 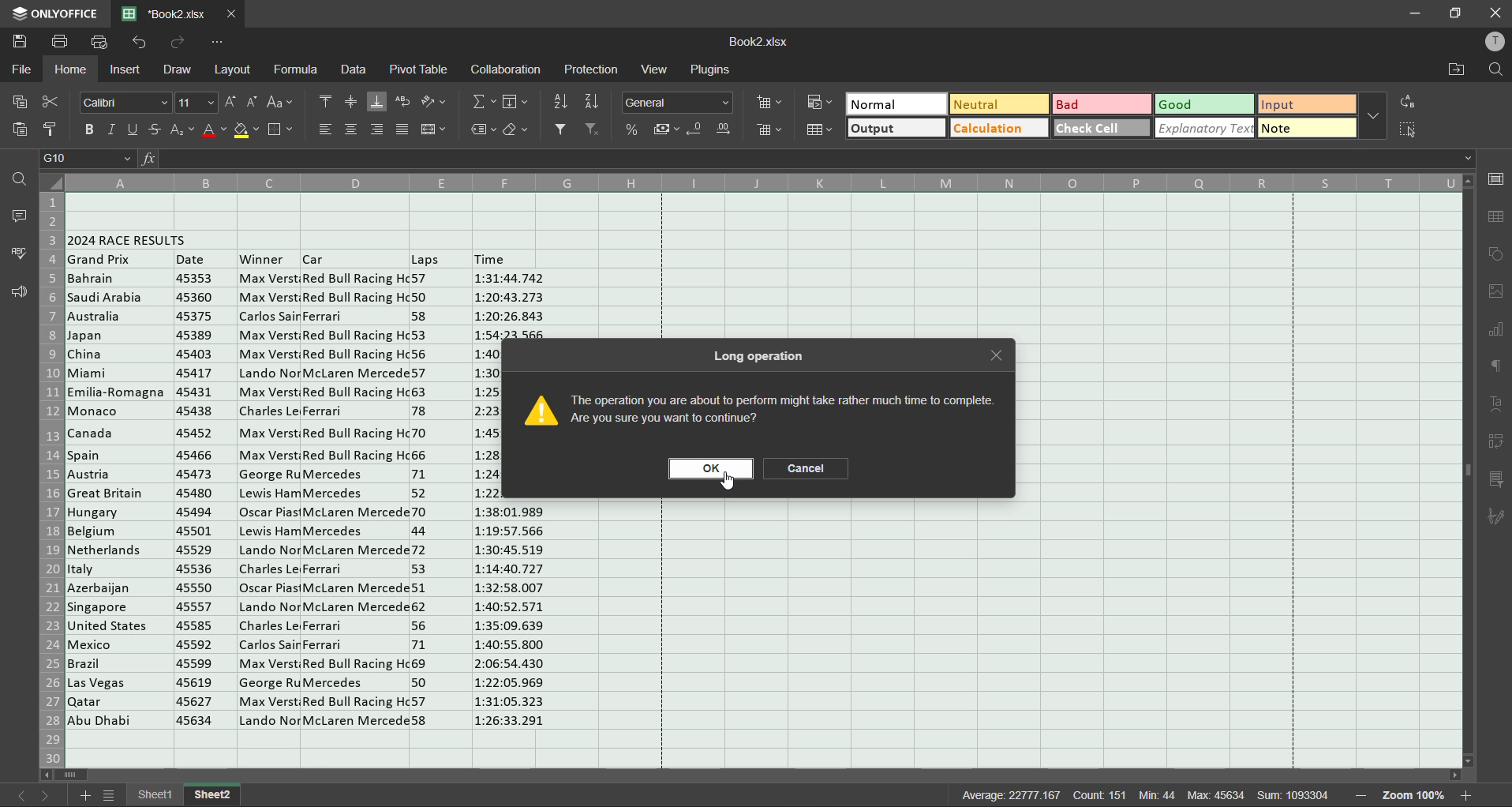 What do you see at coordinates (324, 102) in the screenshot?
I see `align top` at bounding box center [324, 102].